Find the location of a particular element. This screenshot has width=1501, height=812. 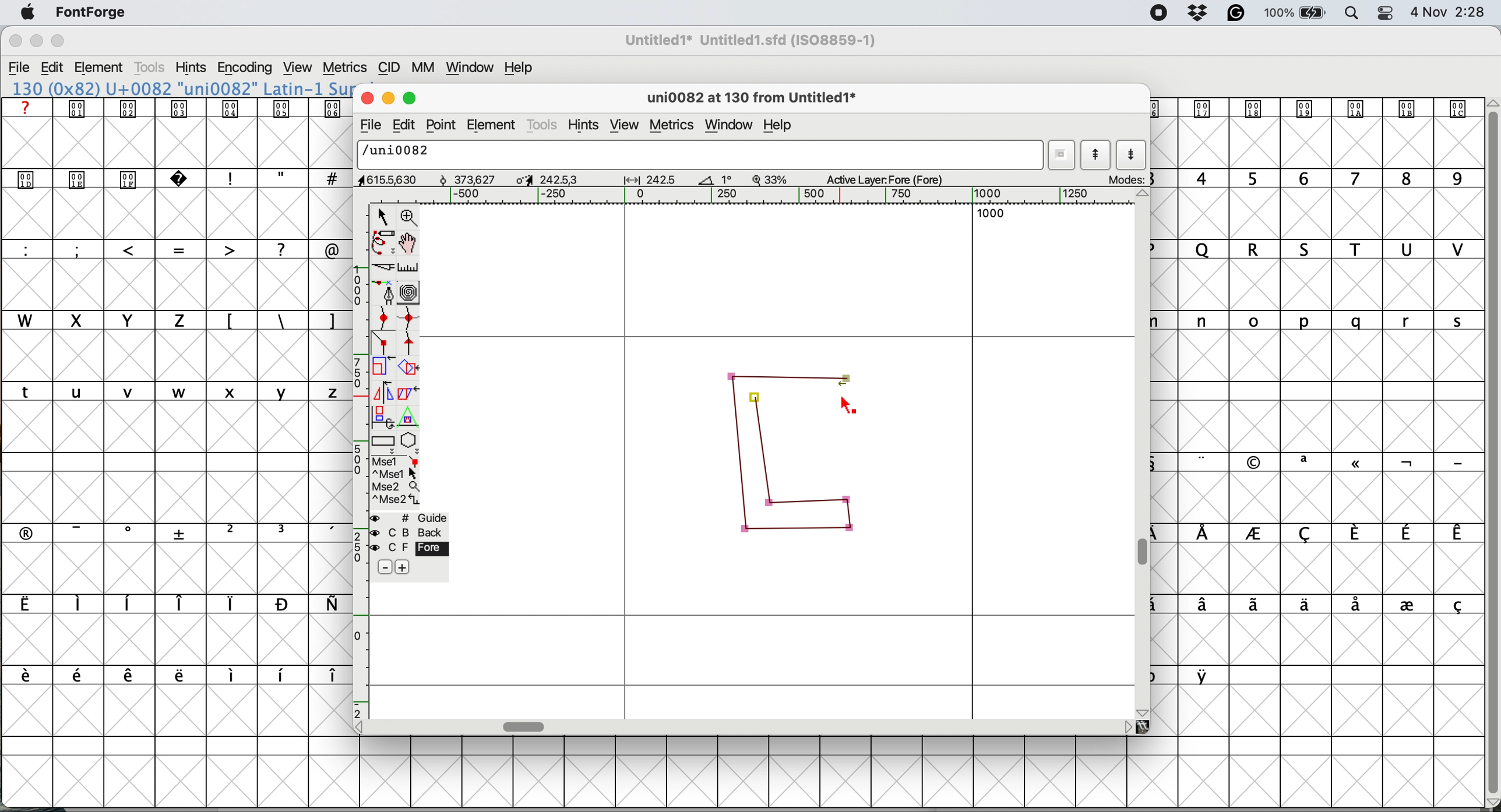

help is located at coordinates (781, 127).